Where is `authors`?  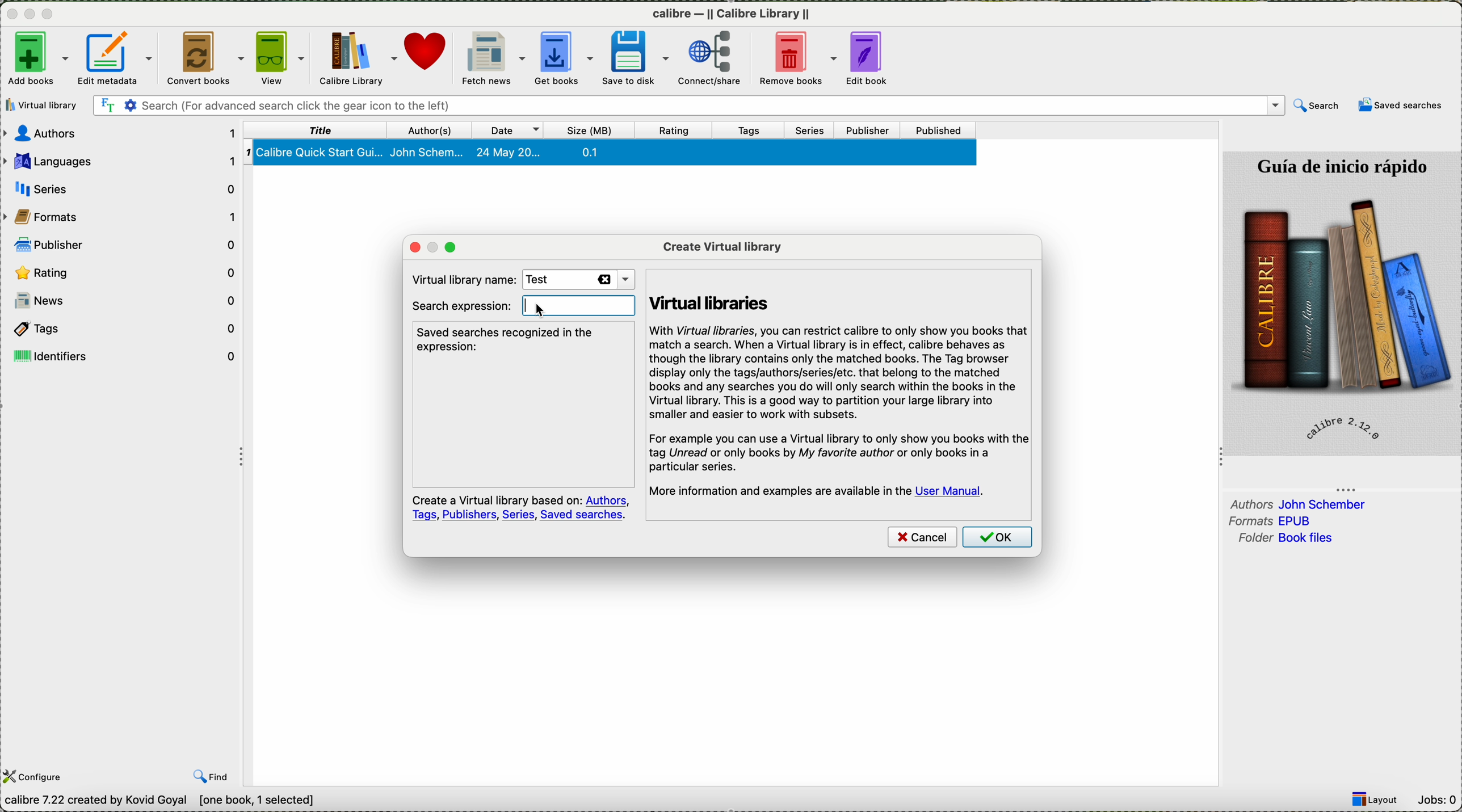
authors is located at coordinates (123, 135).